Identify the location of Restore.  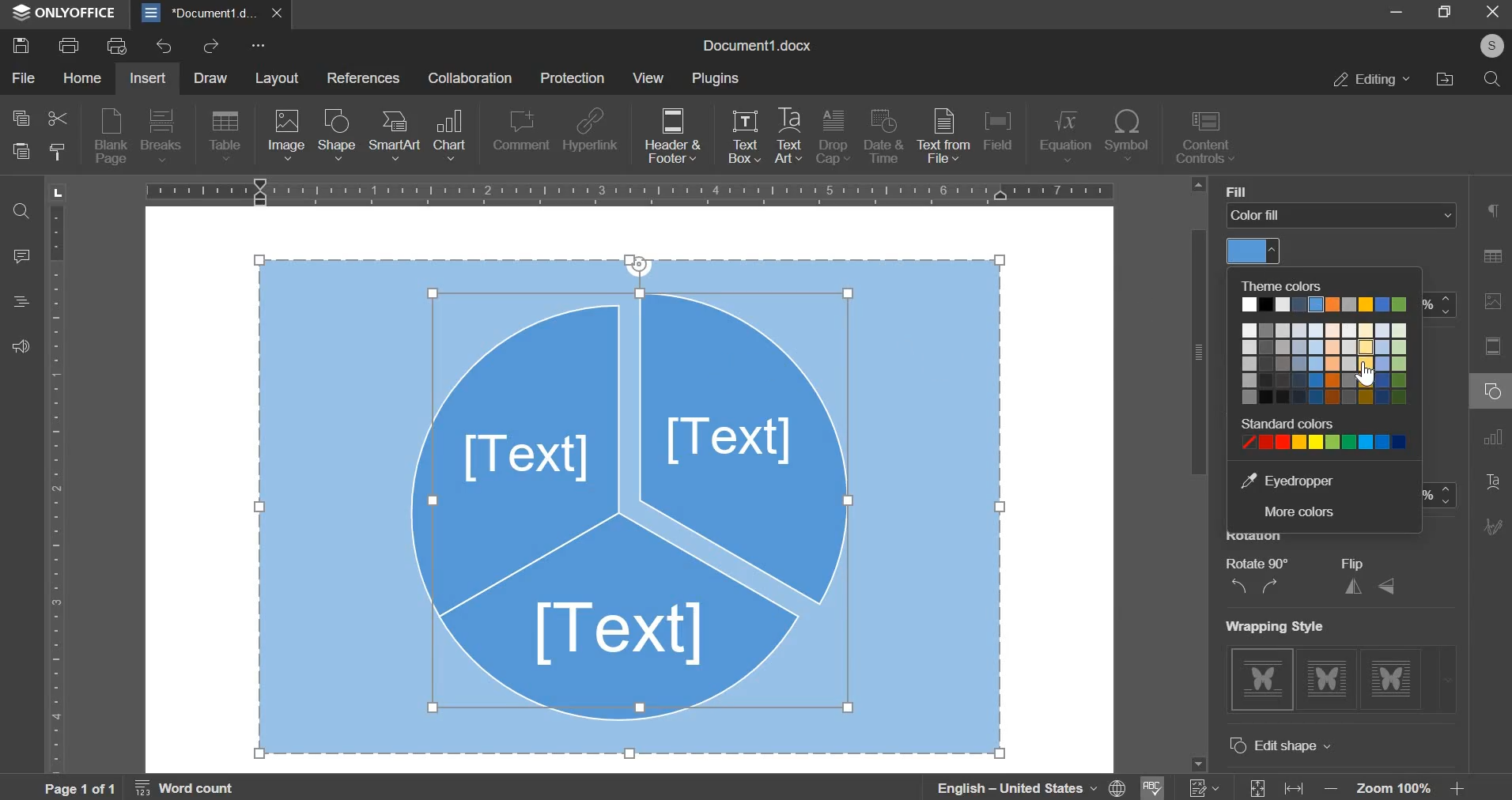
(1442, 13).